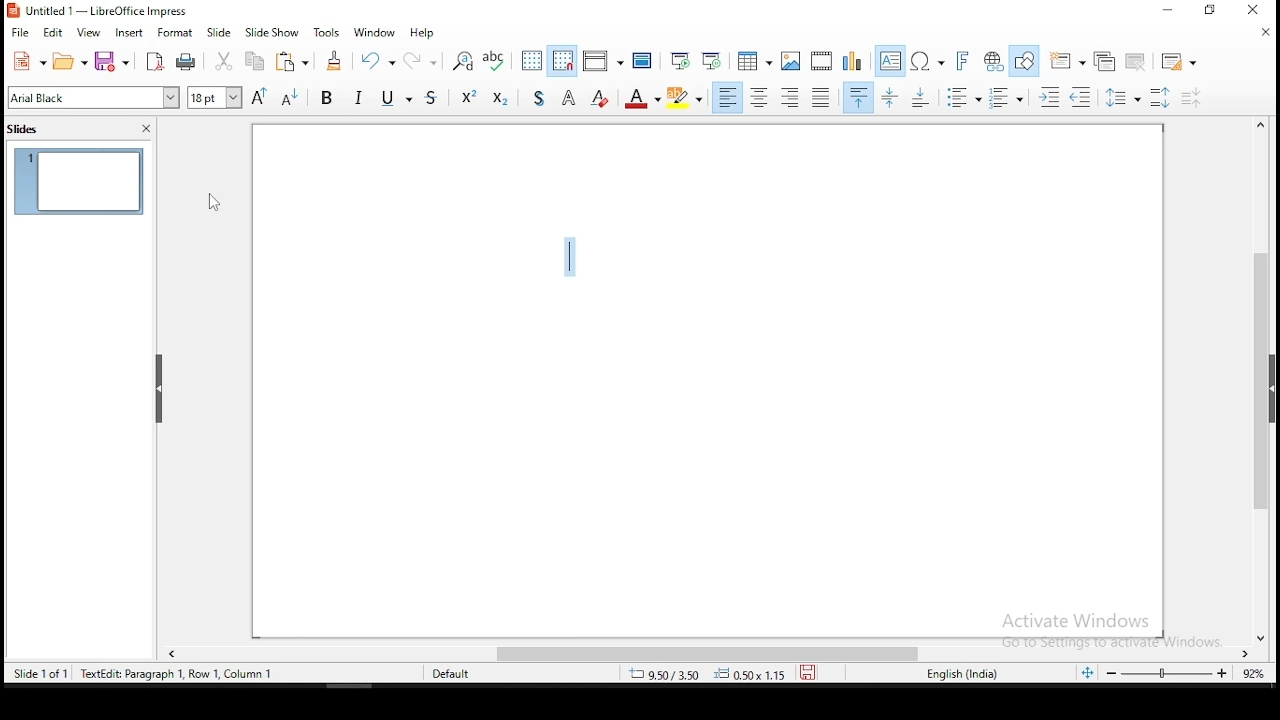 Image resolution: width=1280 pixels, height=720 pixels. Describe the element at coordinates (495, 61) in the screenshot. I see `spell check` at that location.